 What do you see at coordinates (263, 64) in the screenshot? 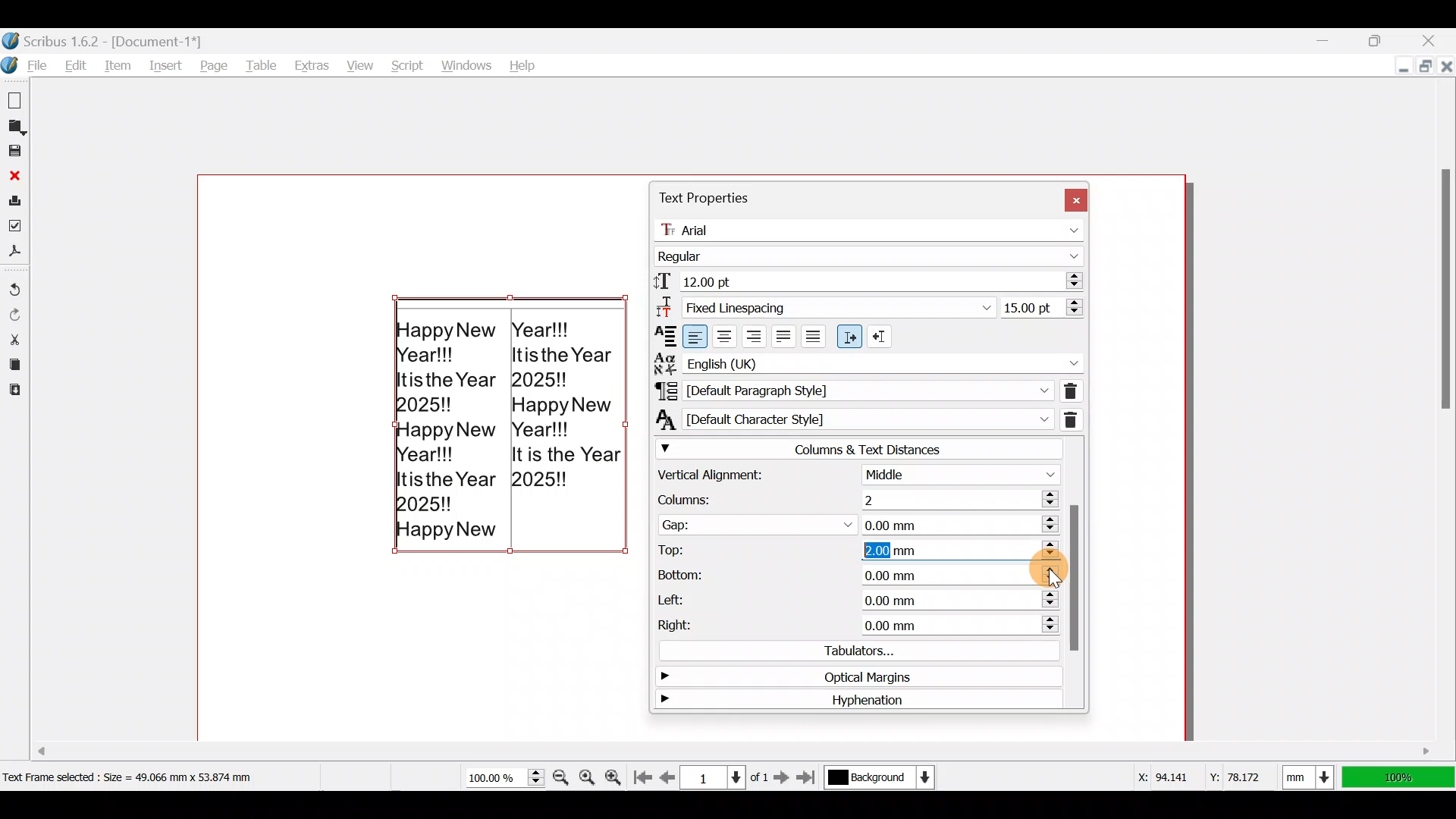
I see `Table` at bounding box center [263, 64].